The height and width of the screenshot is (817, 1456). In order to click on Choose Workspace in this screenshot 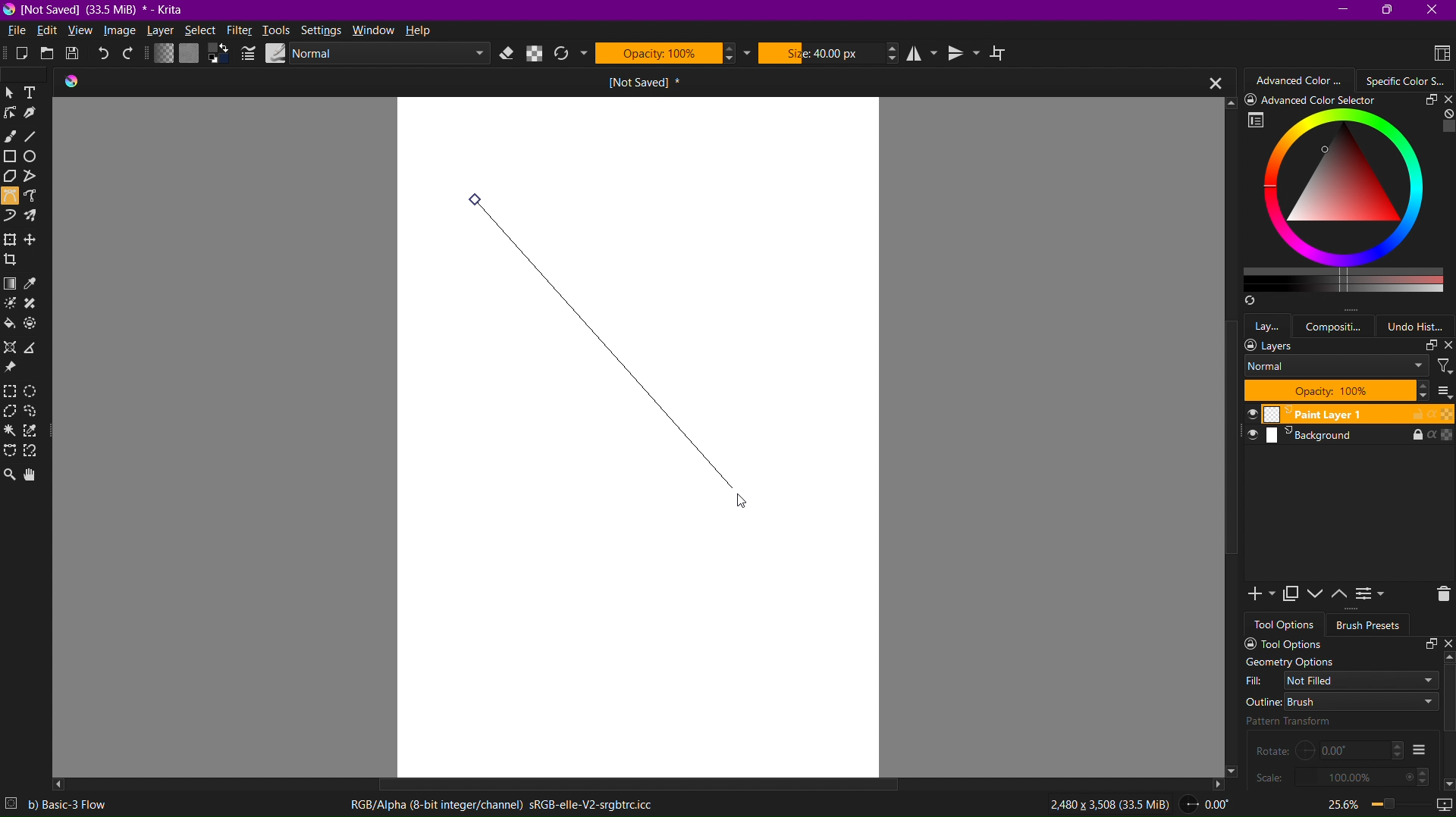, I will do `click(1436, 52)`.